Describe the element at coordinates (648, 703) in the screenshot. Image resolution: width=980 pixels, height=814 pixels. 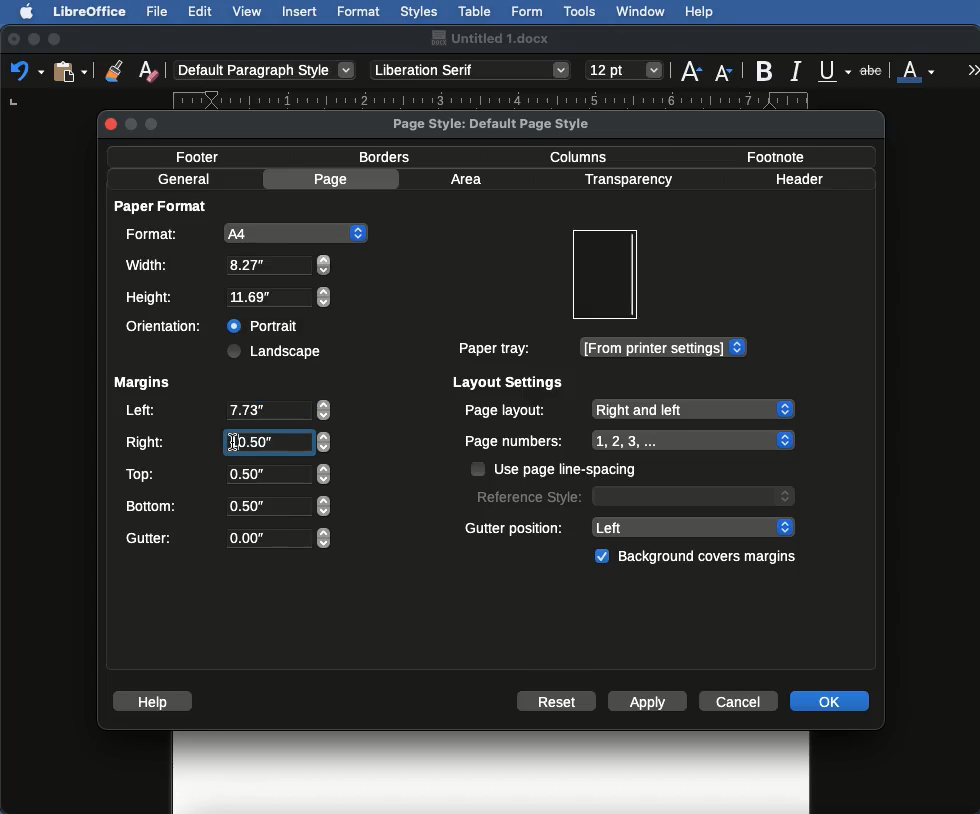
I see `Apply` at that location.